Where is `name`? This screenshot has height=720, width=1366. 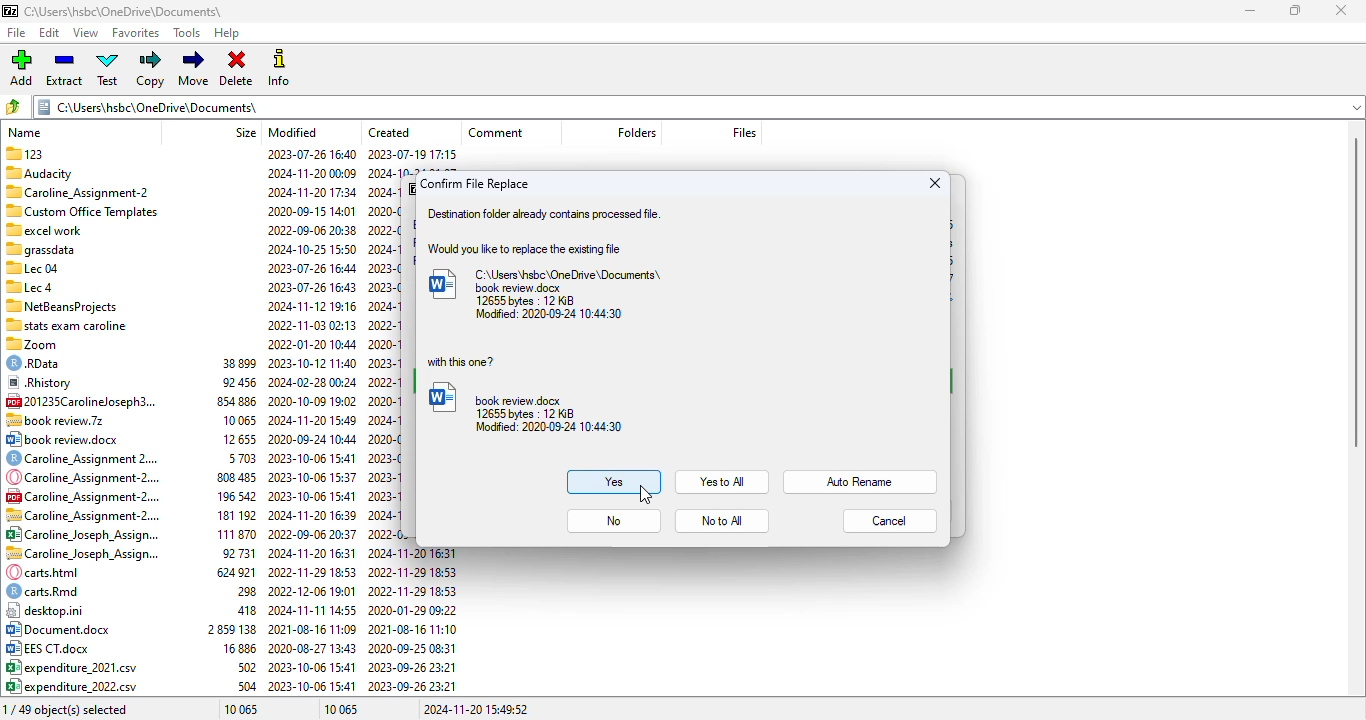 name is located at coordinates (26, 129).